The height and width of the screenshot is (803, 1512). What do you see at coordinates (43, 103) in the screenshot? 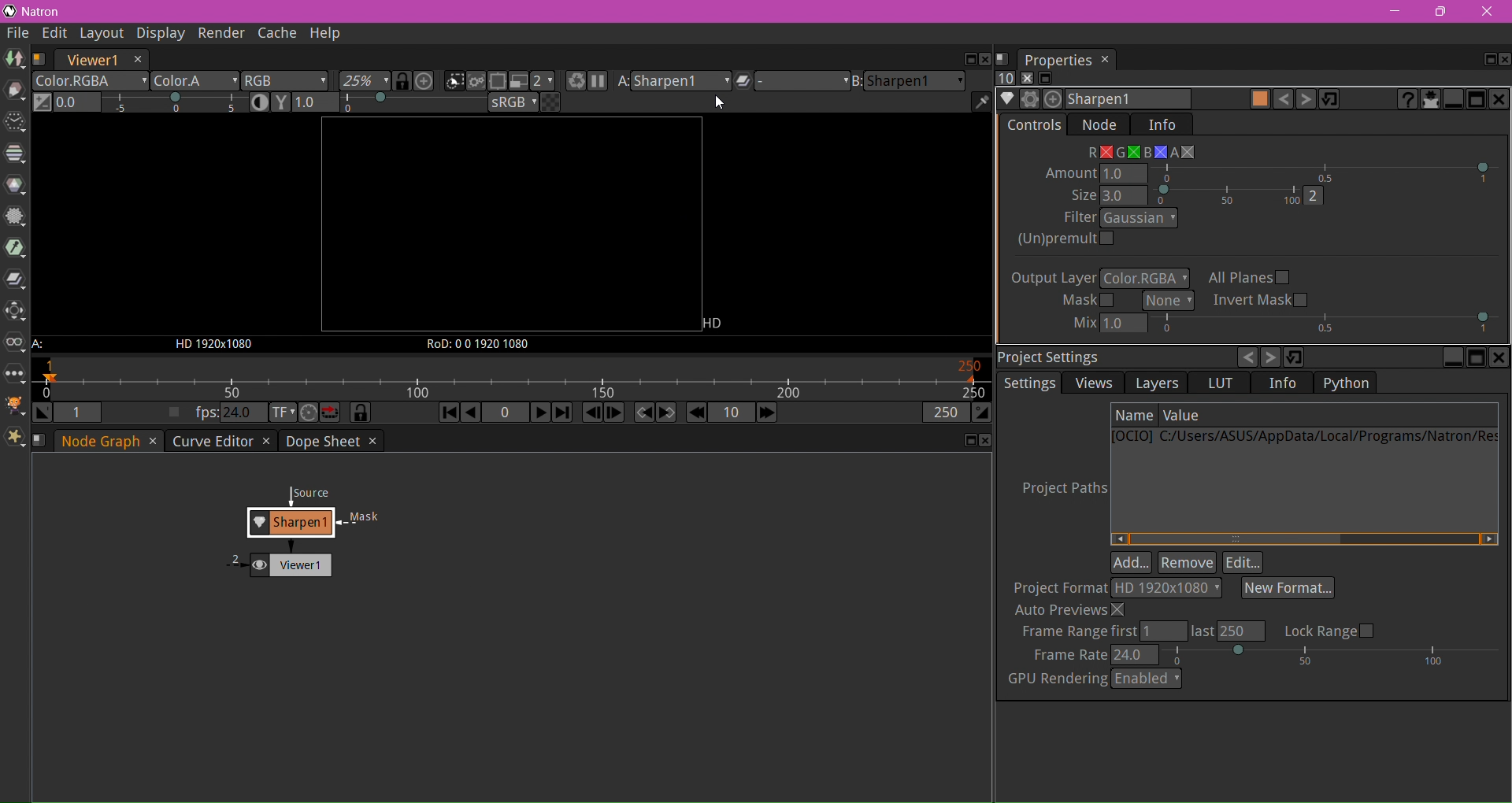
I see `Switch between "neutral" 1.0 gain f-stop and the previous setting ` at bounding box center [43, 103].